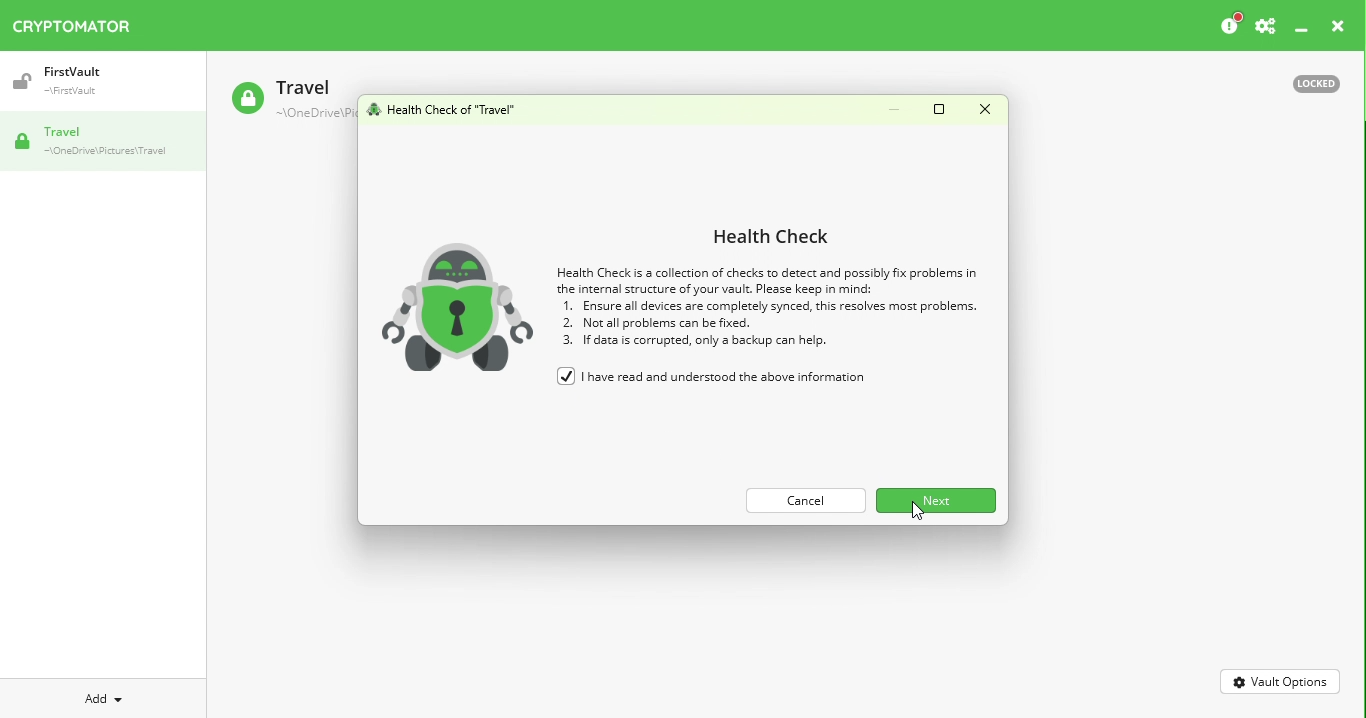 The image size is (1366, 718). What do you see at coordinates (919, 514) in the screenshot?
I see `cursor` at bounding box center [919, 514].